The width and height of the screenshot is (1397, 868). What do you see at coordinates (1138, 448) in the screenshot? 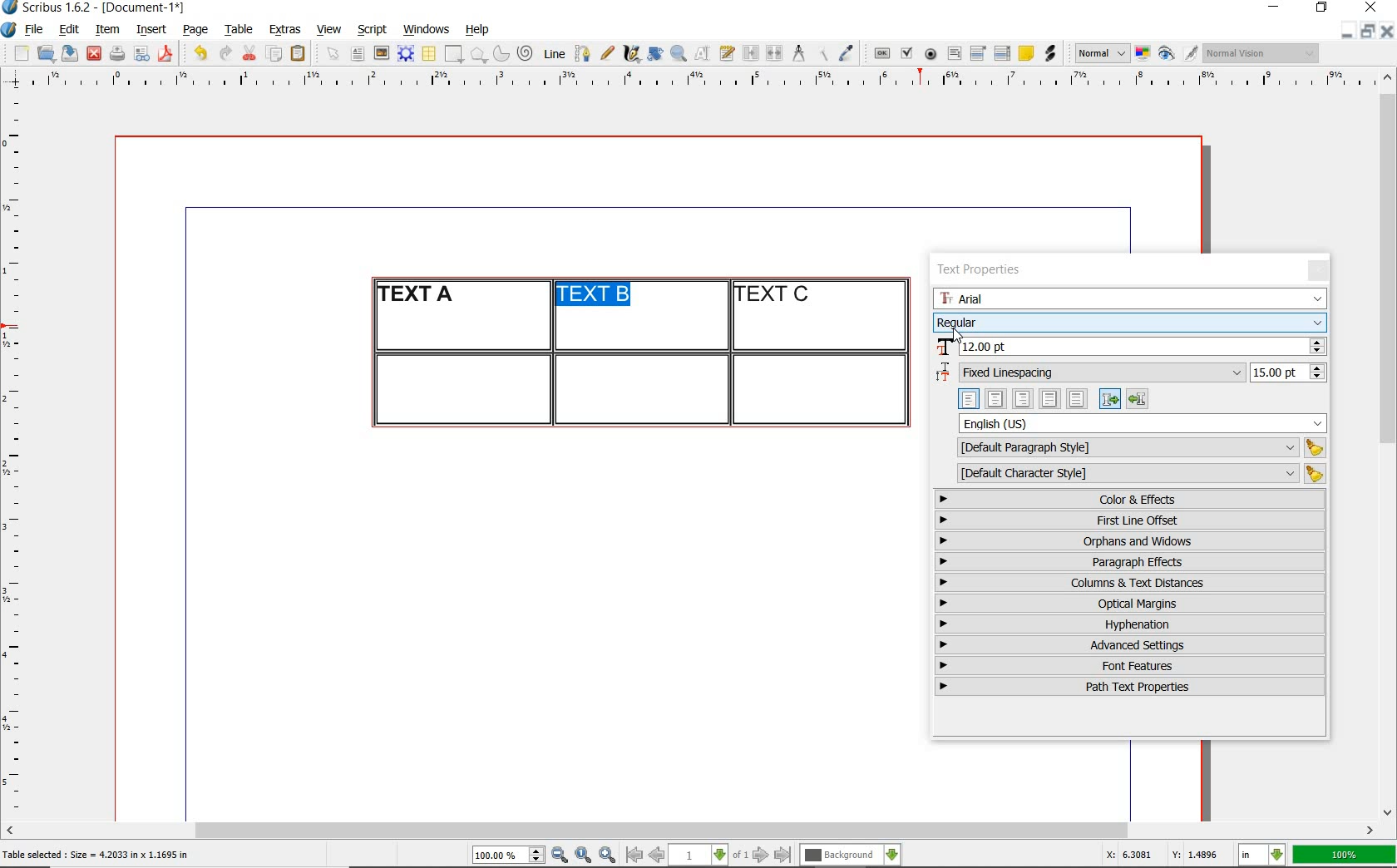
I see `default paragraph style` at bounding box center [1138, 448].